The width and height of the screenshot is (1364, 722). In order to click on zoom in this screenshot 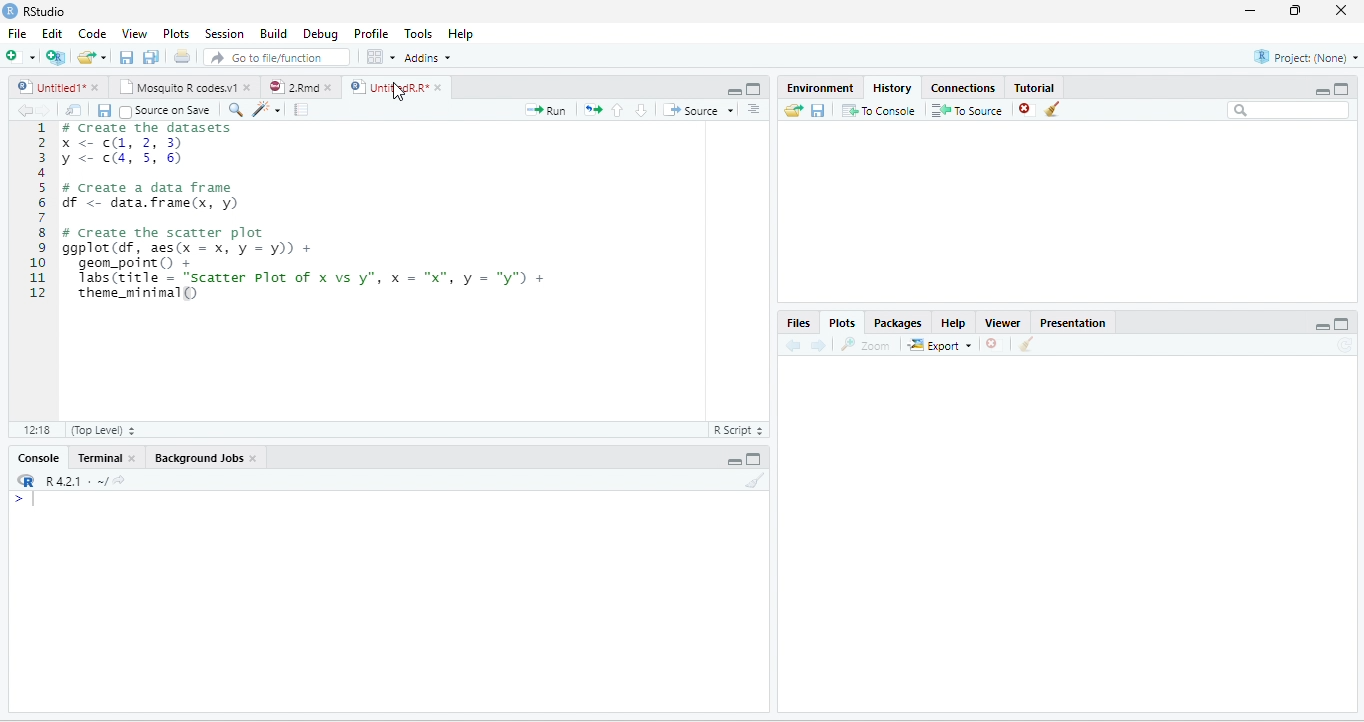, I will do `click(866, 344)`.